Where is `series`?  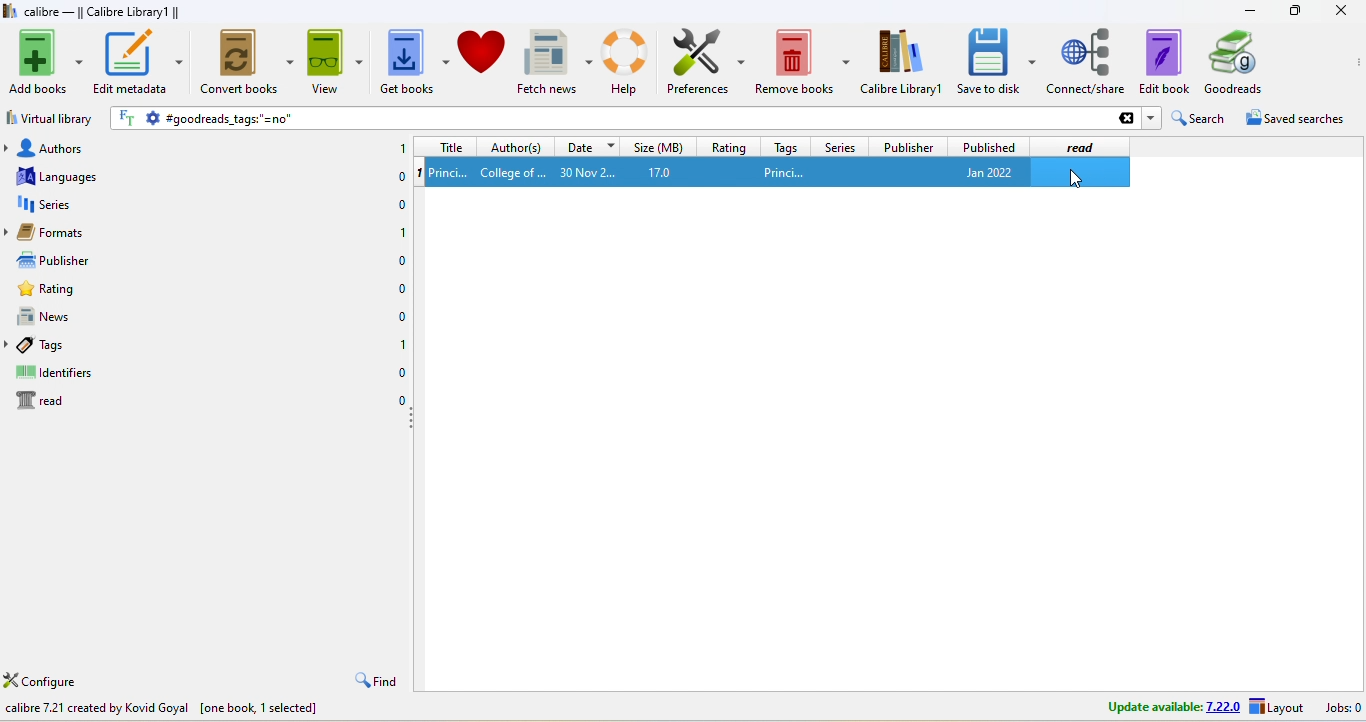 series is located at coordinates (841, 146).